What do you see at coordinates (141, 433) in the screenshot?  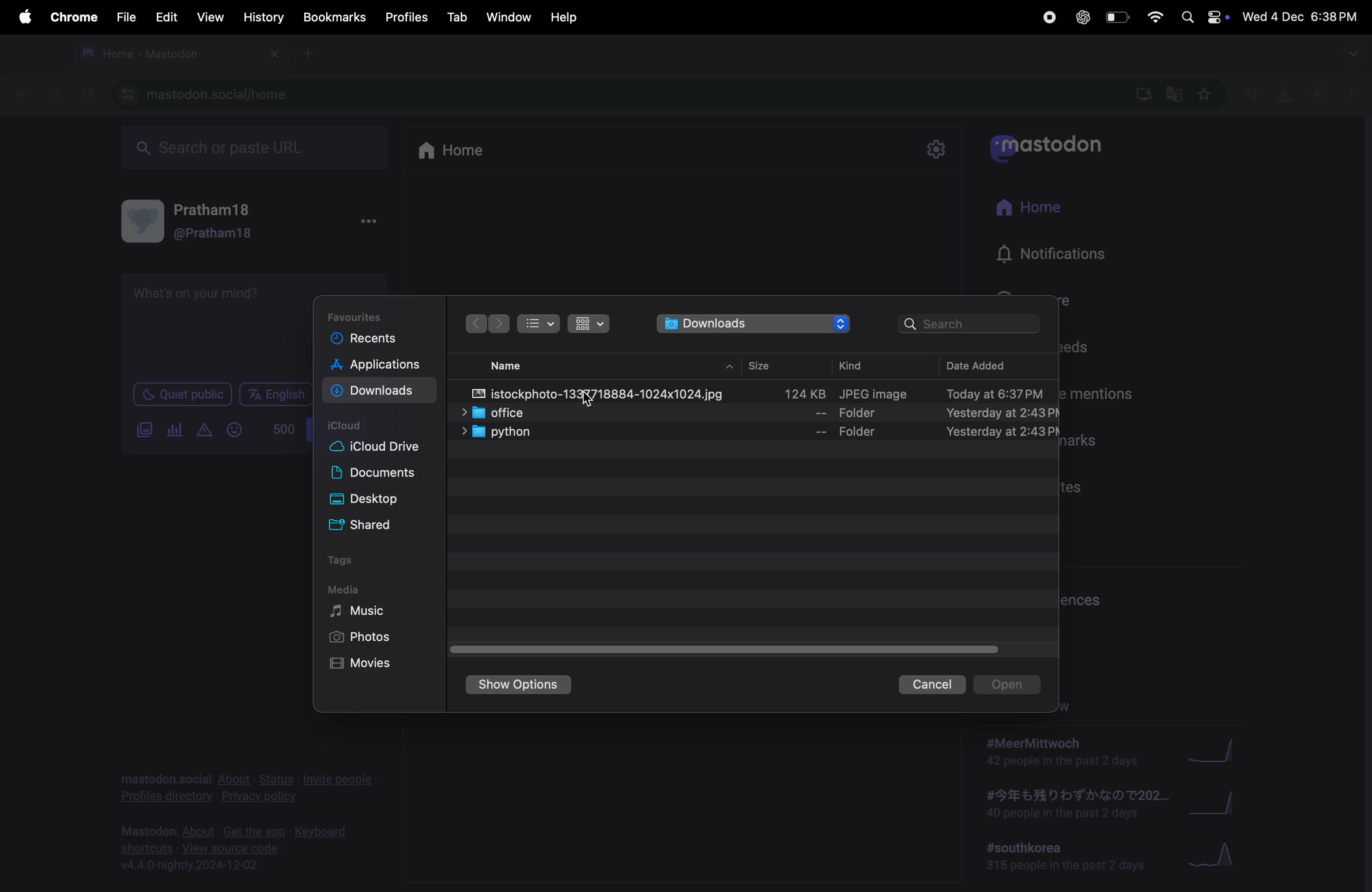 I see `add image` at bounding box center [141, 433].